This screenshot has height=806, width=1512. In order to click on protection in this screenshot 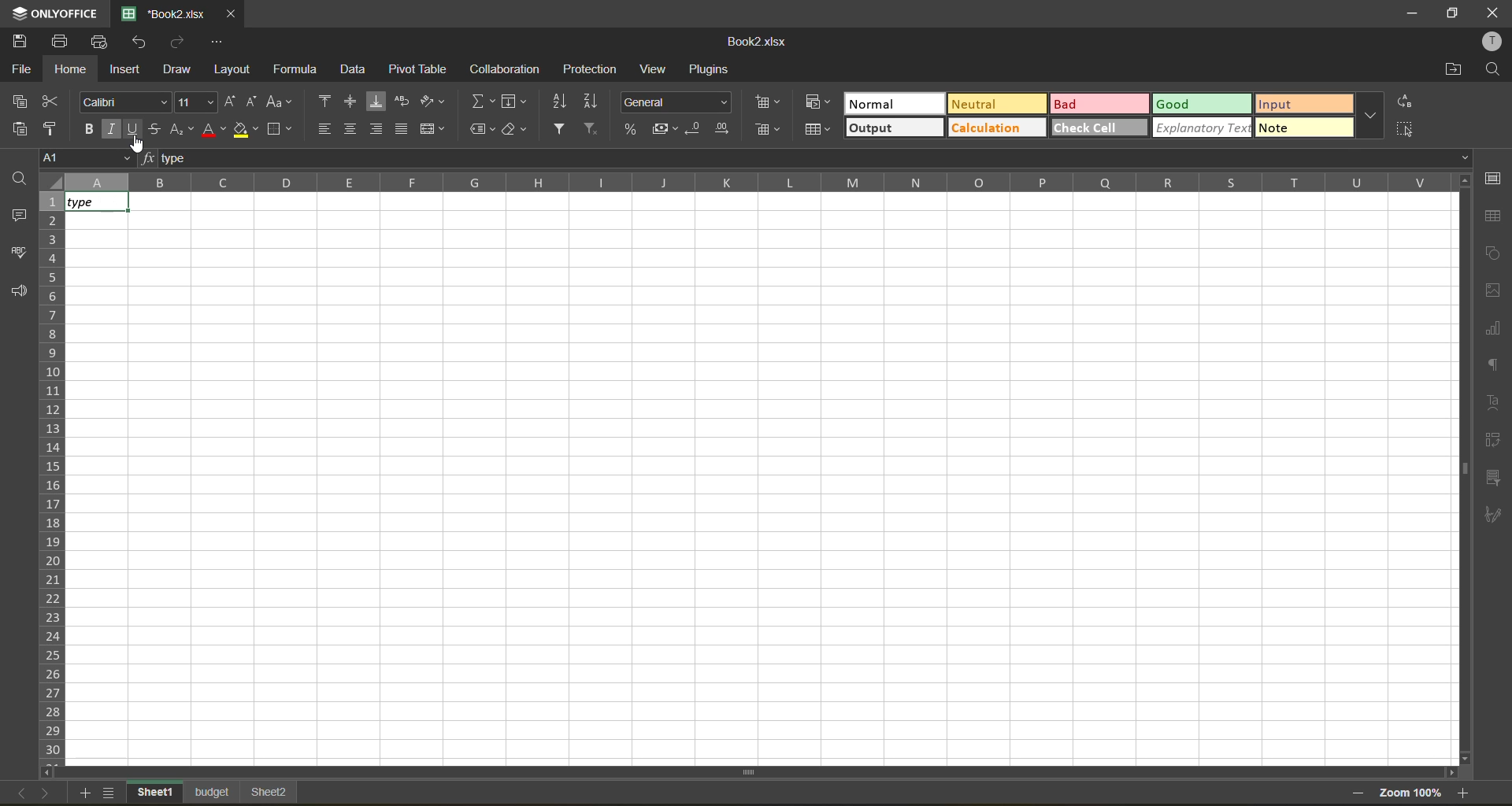, I will do `click(591, 68)`.